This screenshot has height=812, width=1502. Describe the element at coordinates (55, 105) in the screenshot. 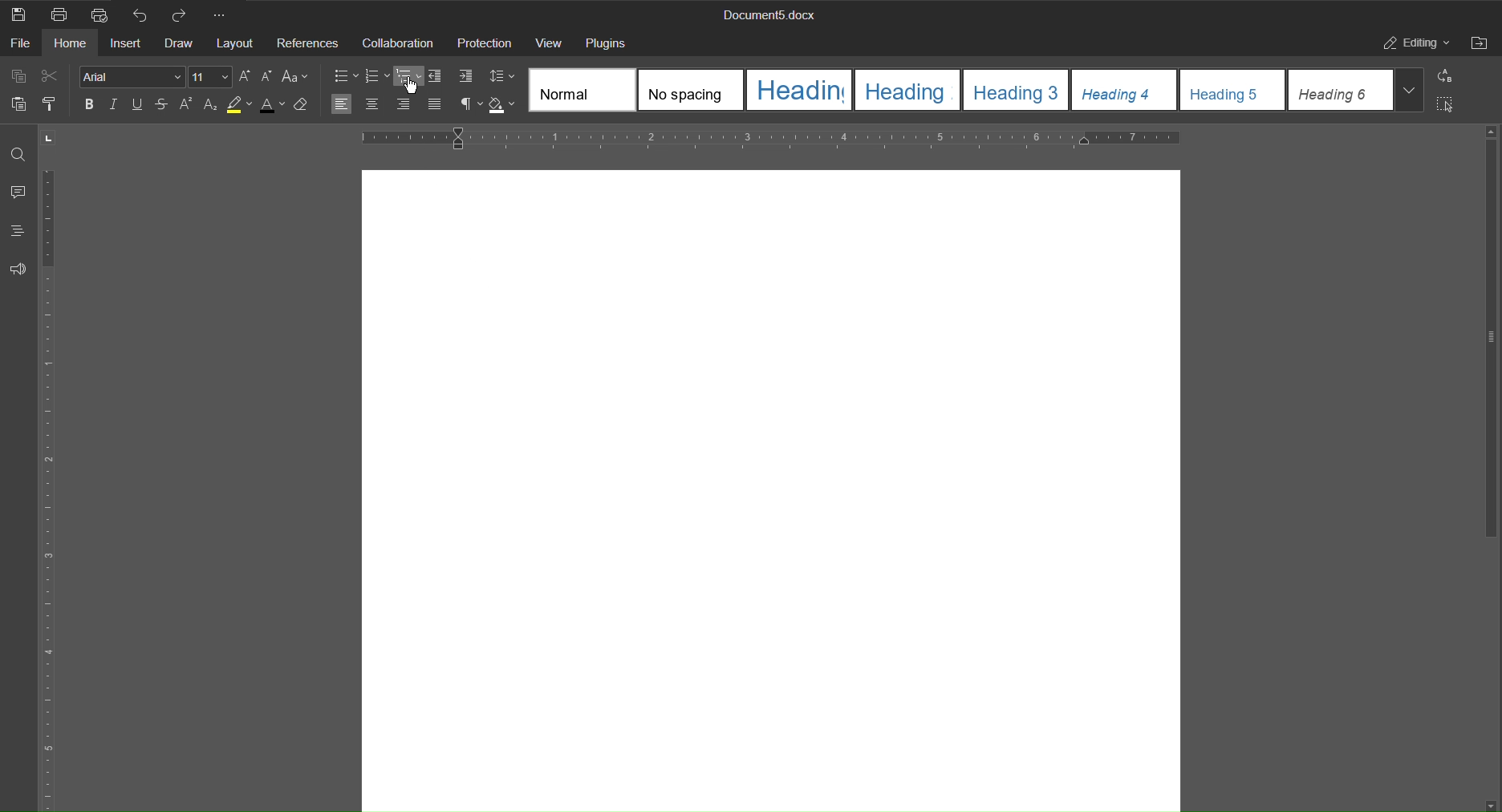

I see `Copy Style` at that location.